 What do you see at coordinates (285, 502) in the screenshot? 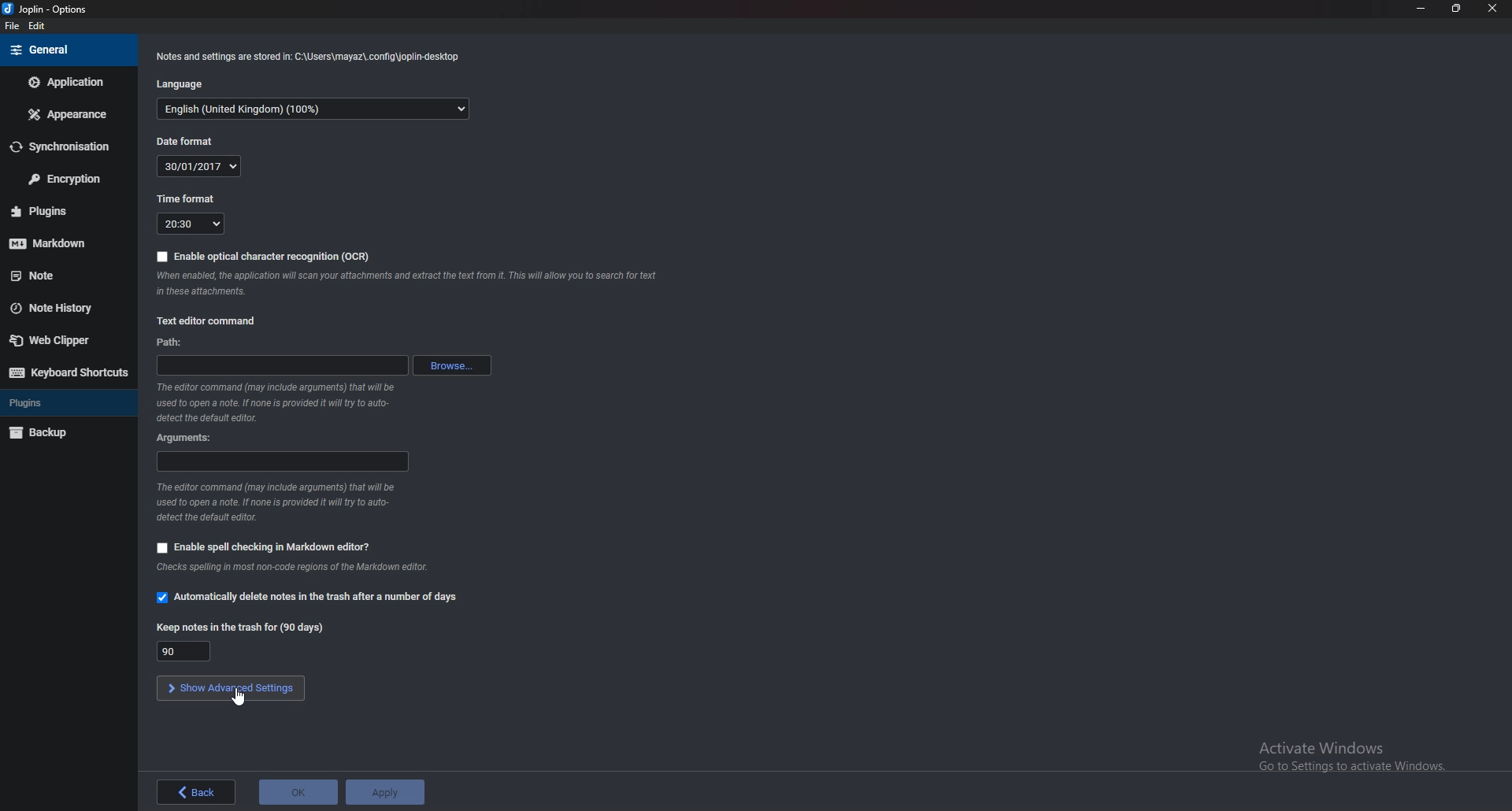
I see `Info on editor command` at bounding box center [285, 502].